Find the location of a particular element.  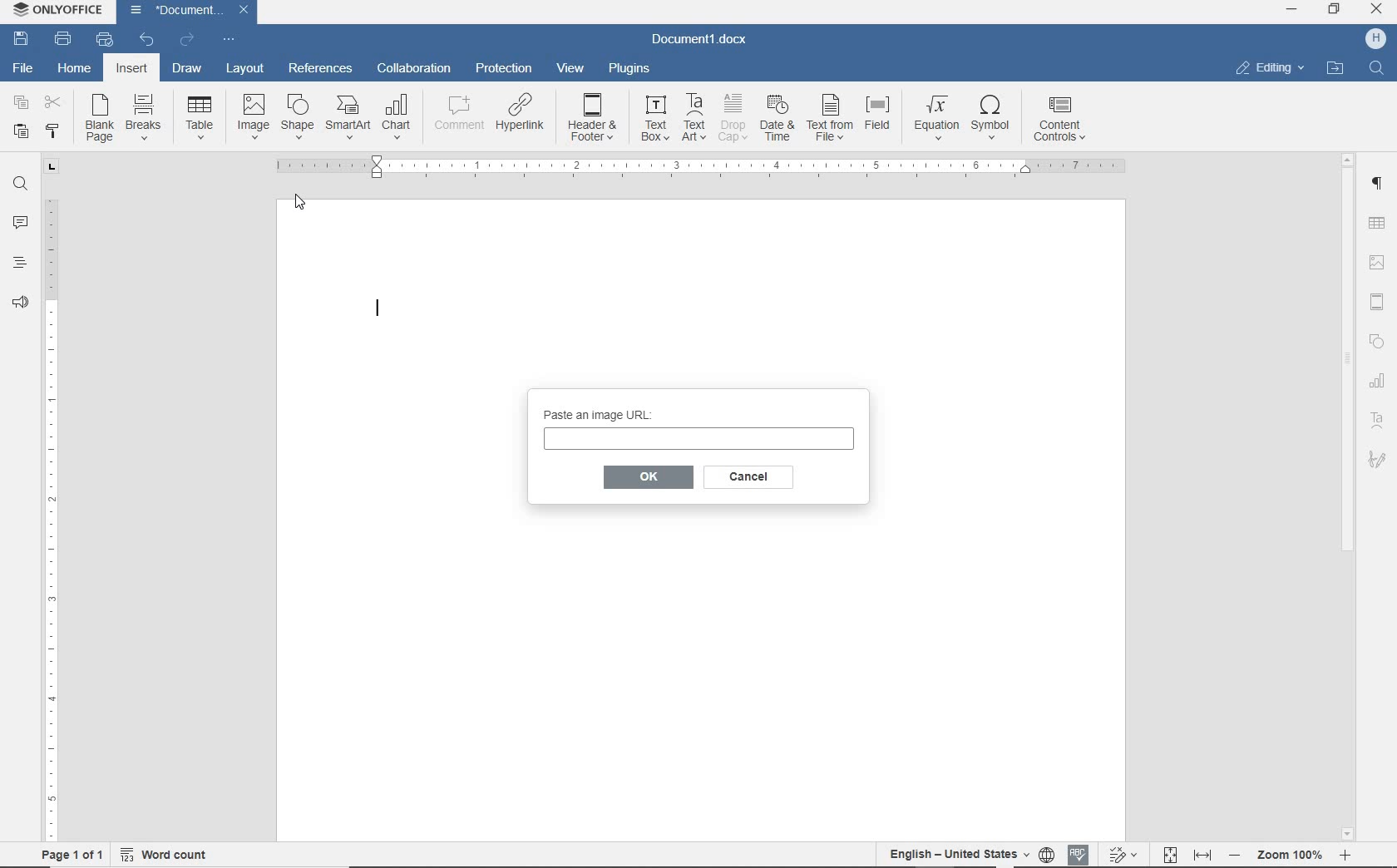

TextArt is located at coordinates (694, 120).